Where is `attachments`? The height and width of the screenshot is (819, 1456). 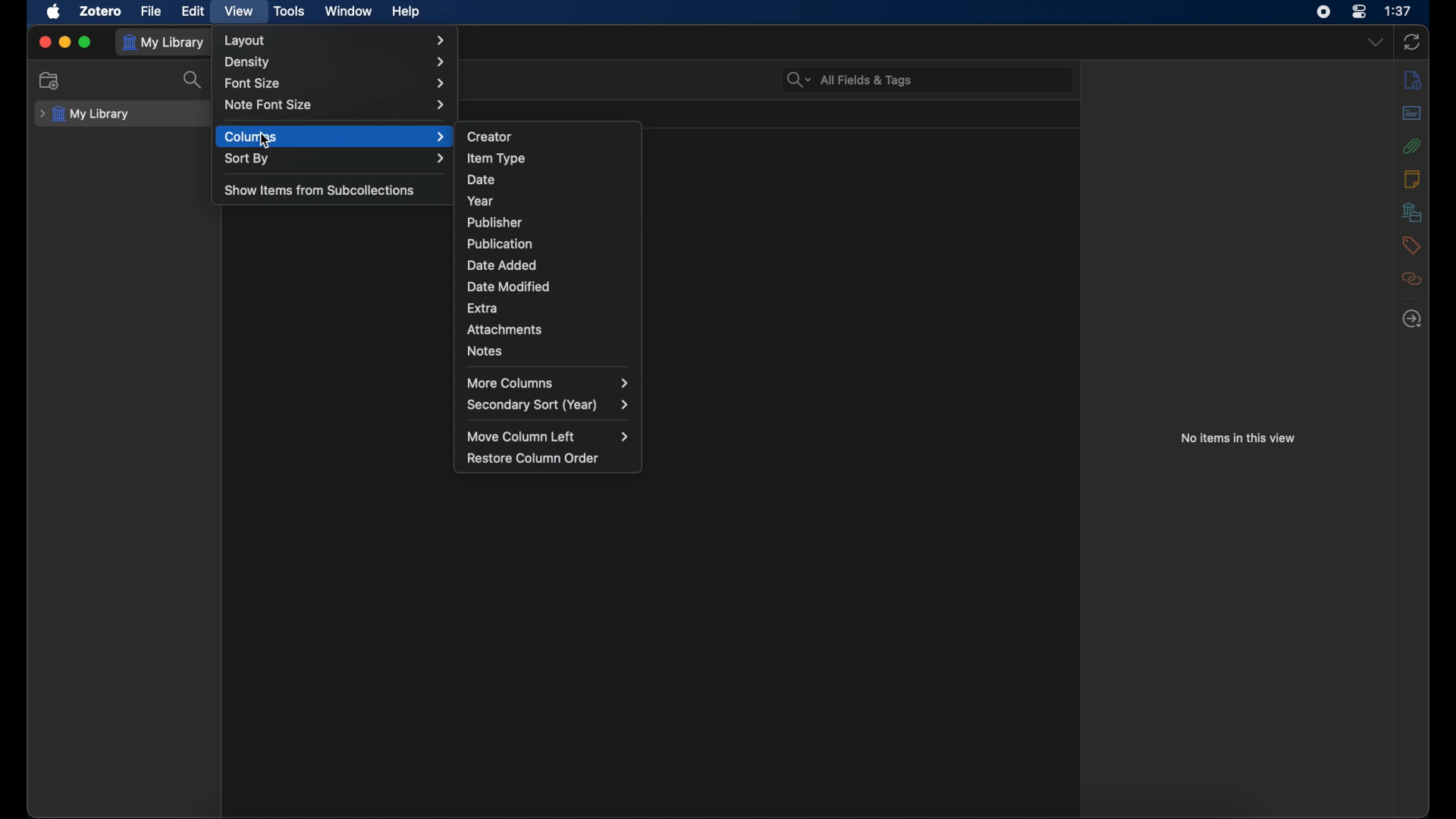 attachments is located at coordinates (1411, 146).